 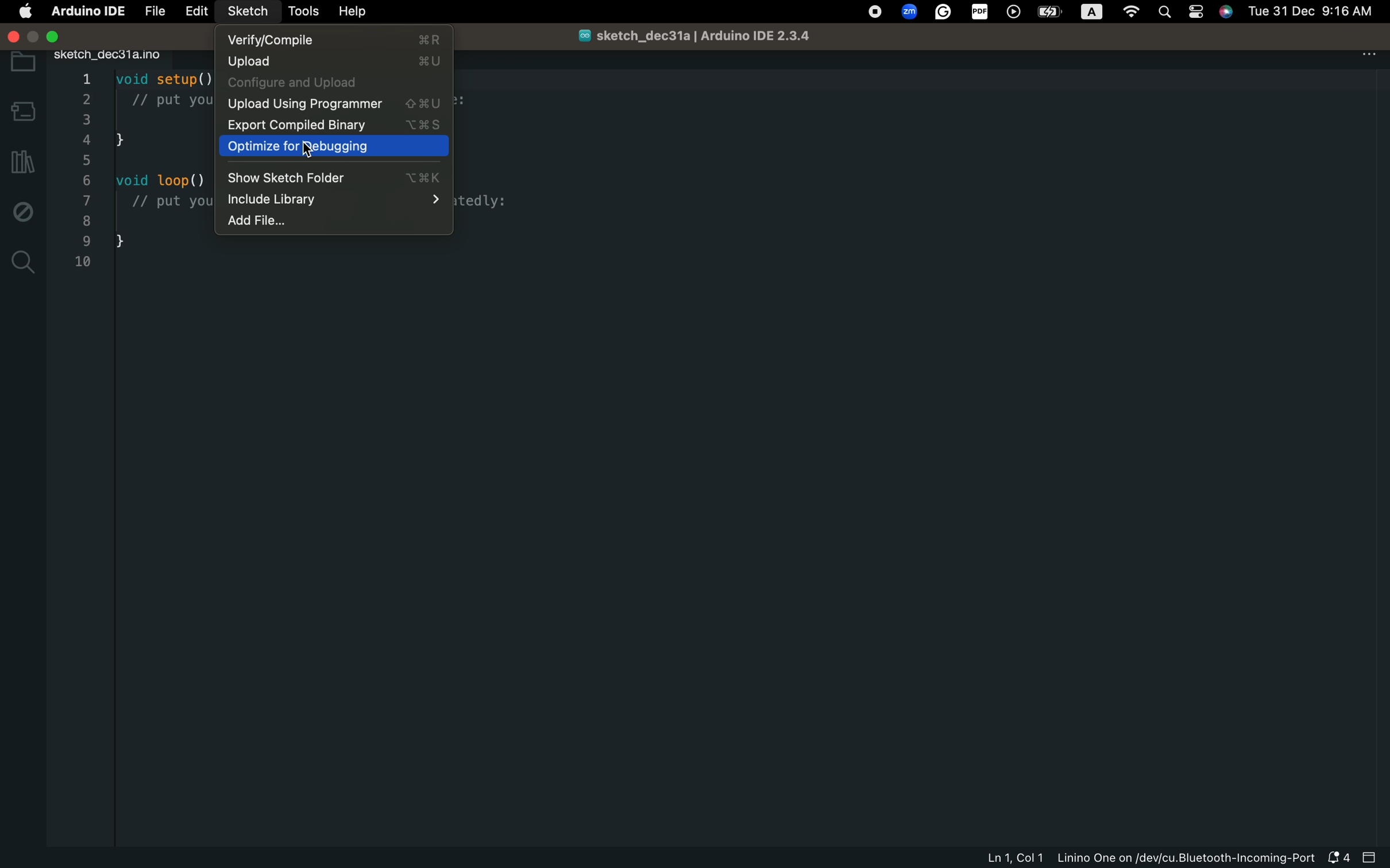 What do you see at coordinates (308, 150) in the screenshot?
I see `cursor` at bounding box center [308, 150].